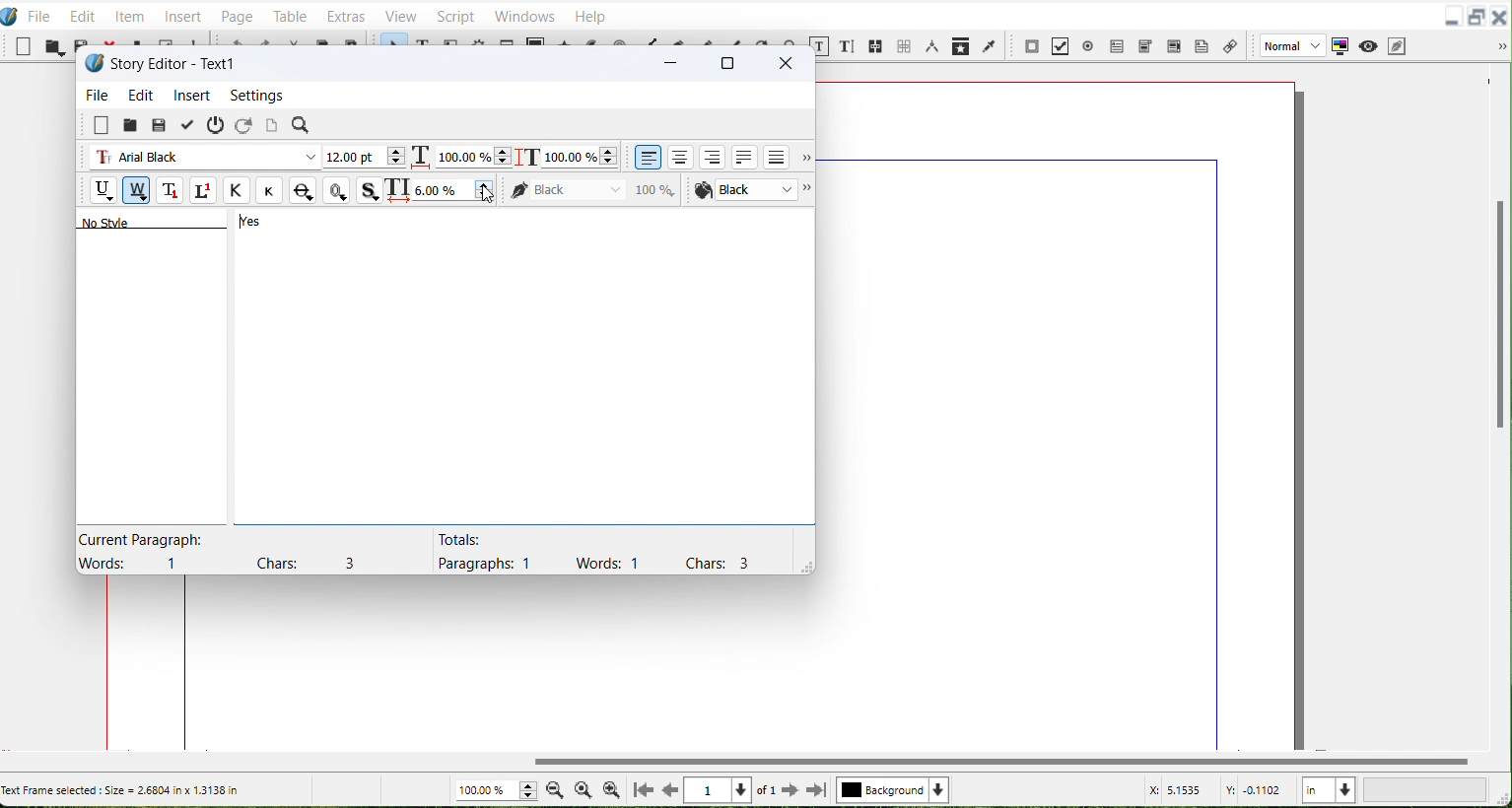 This screenshot has height=808, width=1512. I want to click on Shadowed Text, so click(367, 189).